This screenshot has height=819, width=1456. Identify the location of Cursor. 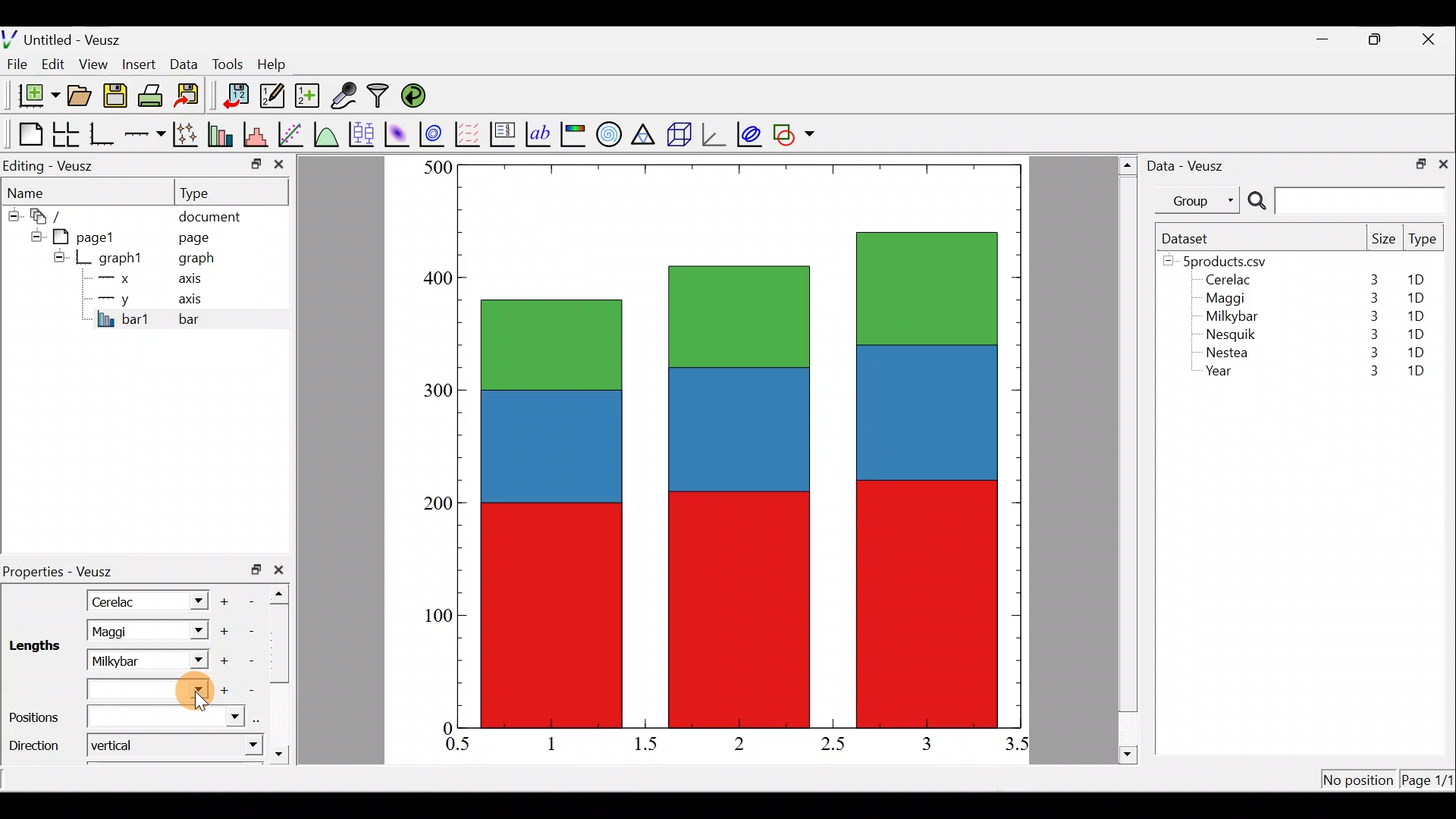
(180, 687).